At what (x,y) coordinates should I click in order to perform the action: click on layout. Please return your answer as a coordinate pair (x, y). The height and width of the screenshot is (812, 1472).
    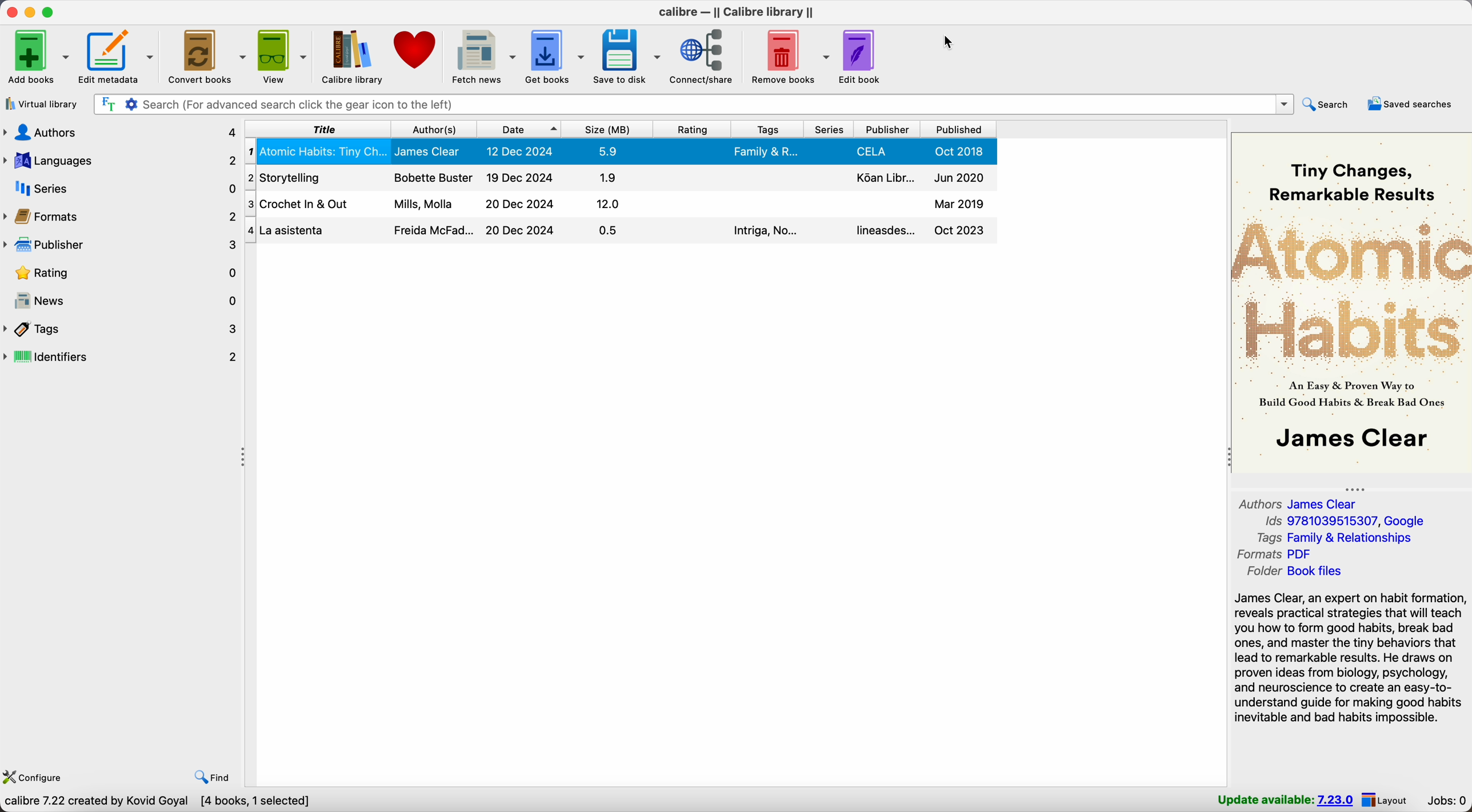
    Looking at the image, I should click on (1392, 801).